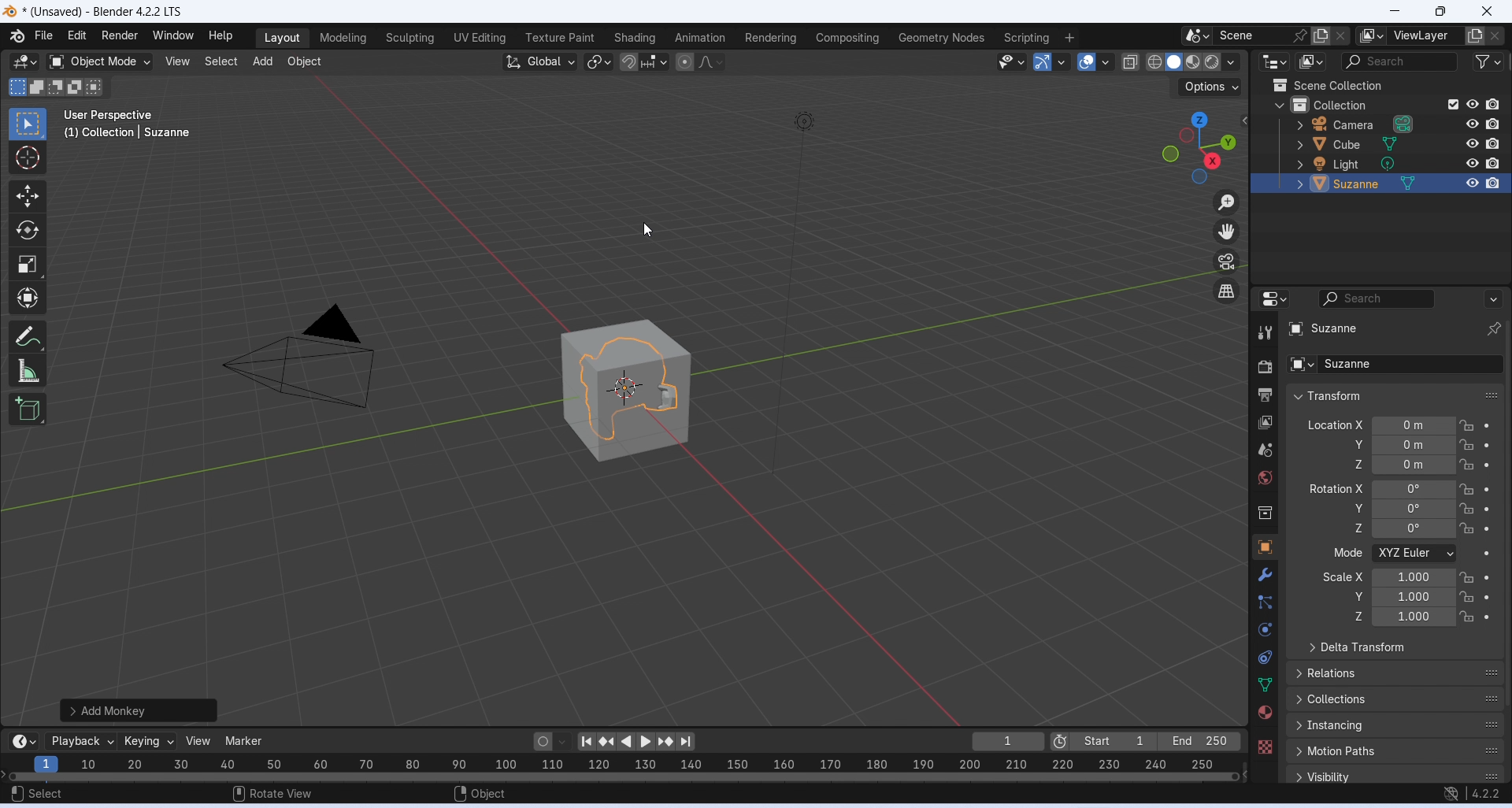  Describe the element at coordinates (172, 35) in the screenshot. I see `Window` at that location.